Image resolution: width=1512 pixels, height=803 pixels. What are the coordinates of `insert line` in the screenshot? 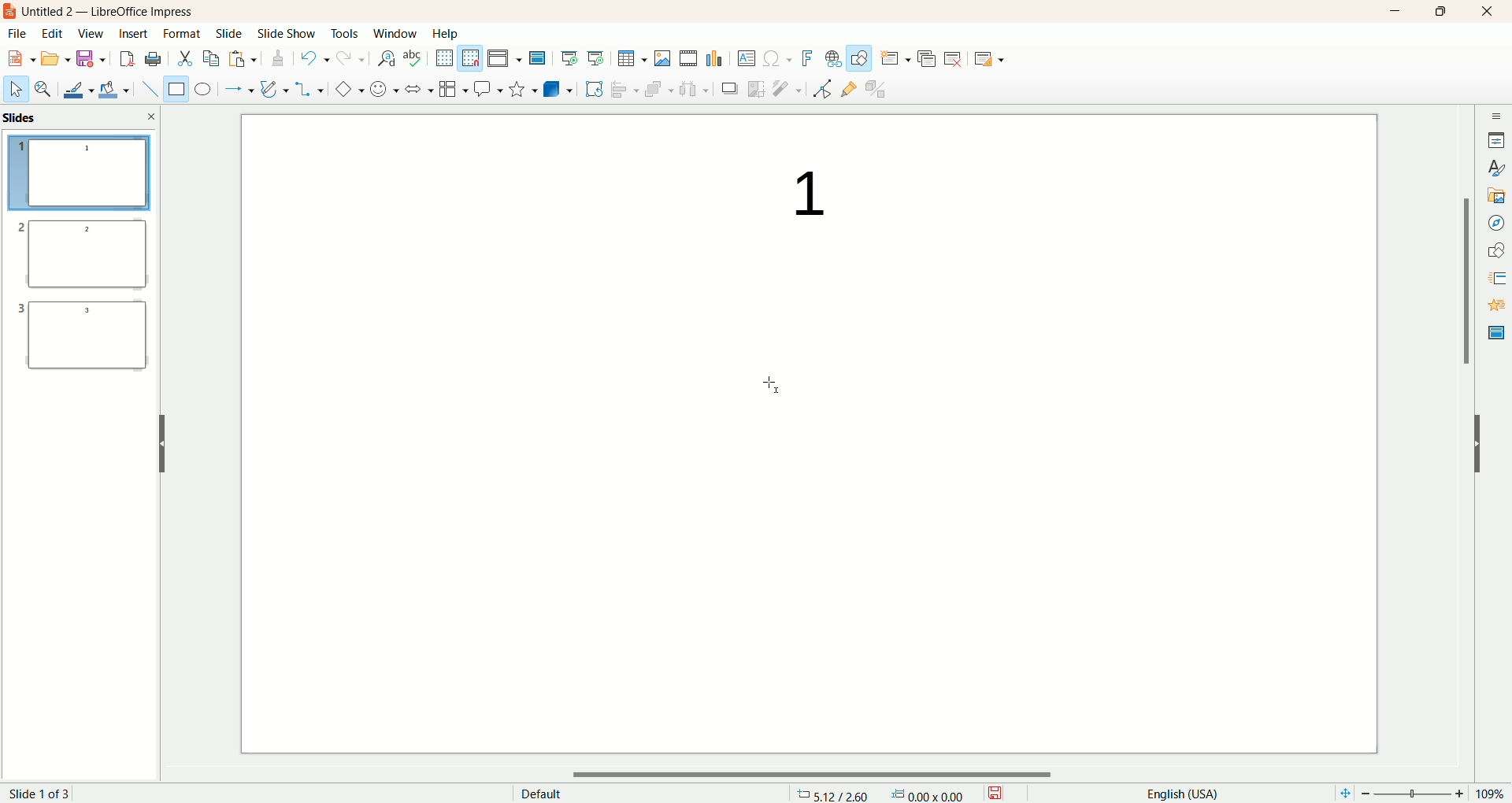 It's located at (145, 89).